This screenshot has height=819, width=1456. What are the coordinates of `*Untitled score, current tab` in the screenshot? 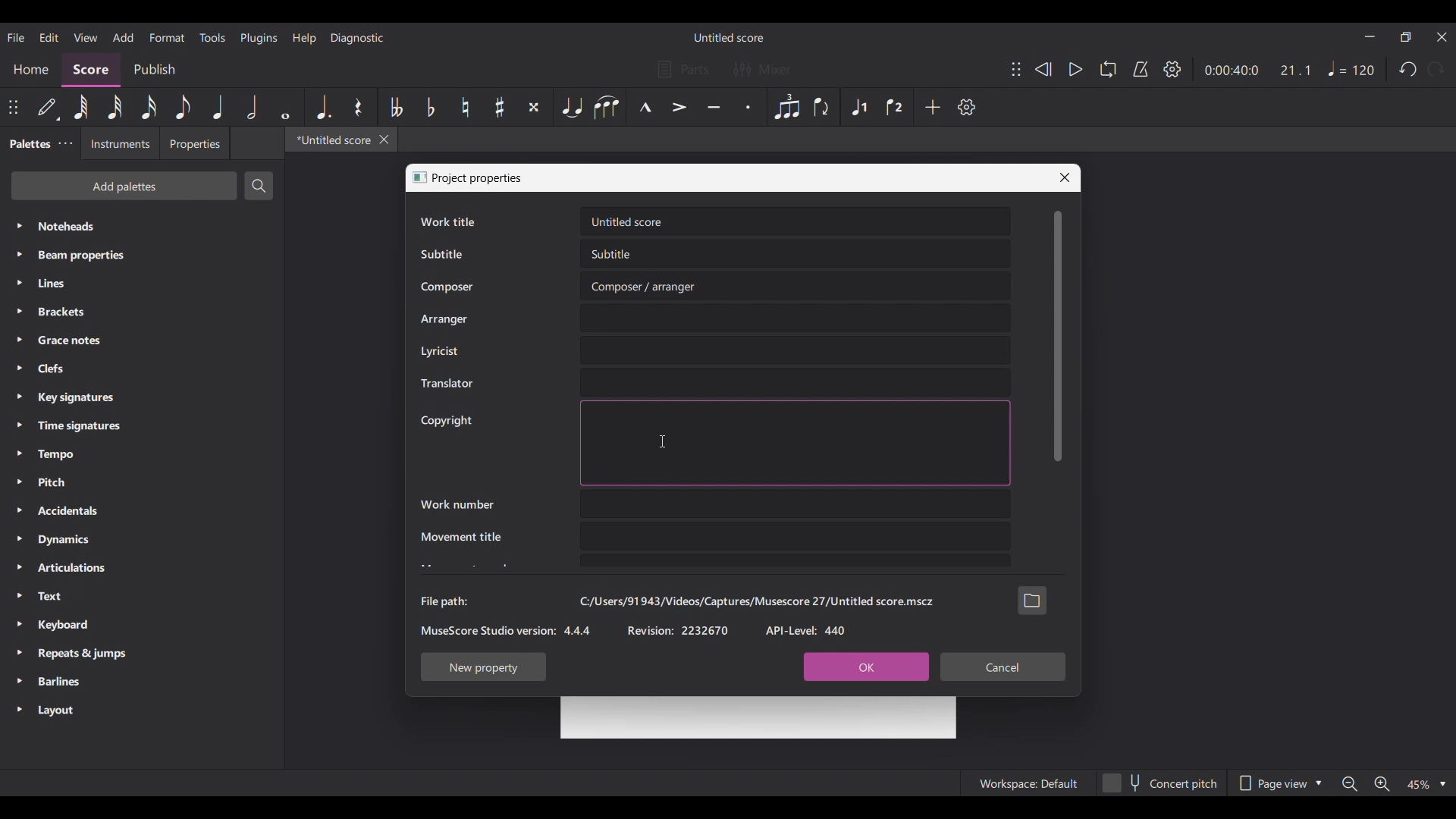 It's located at (331, 140).